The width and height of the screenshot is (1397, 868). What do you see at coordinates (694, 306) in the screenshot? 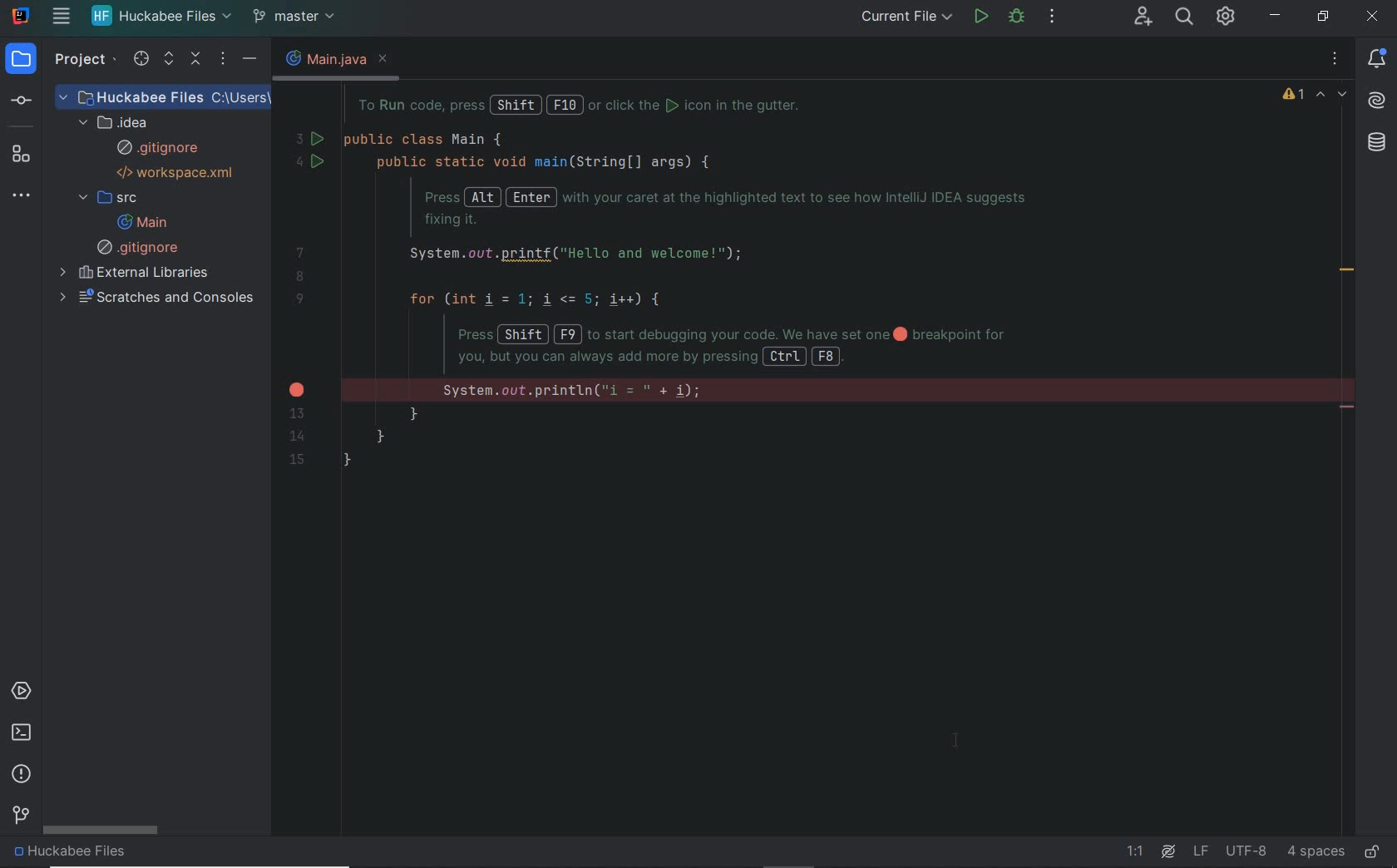
I see `codes` at bounding box center [694, 306].